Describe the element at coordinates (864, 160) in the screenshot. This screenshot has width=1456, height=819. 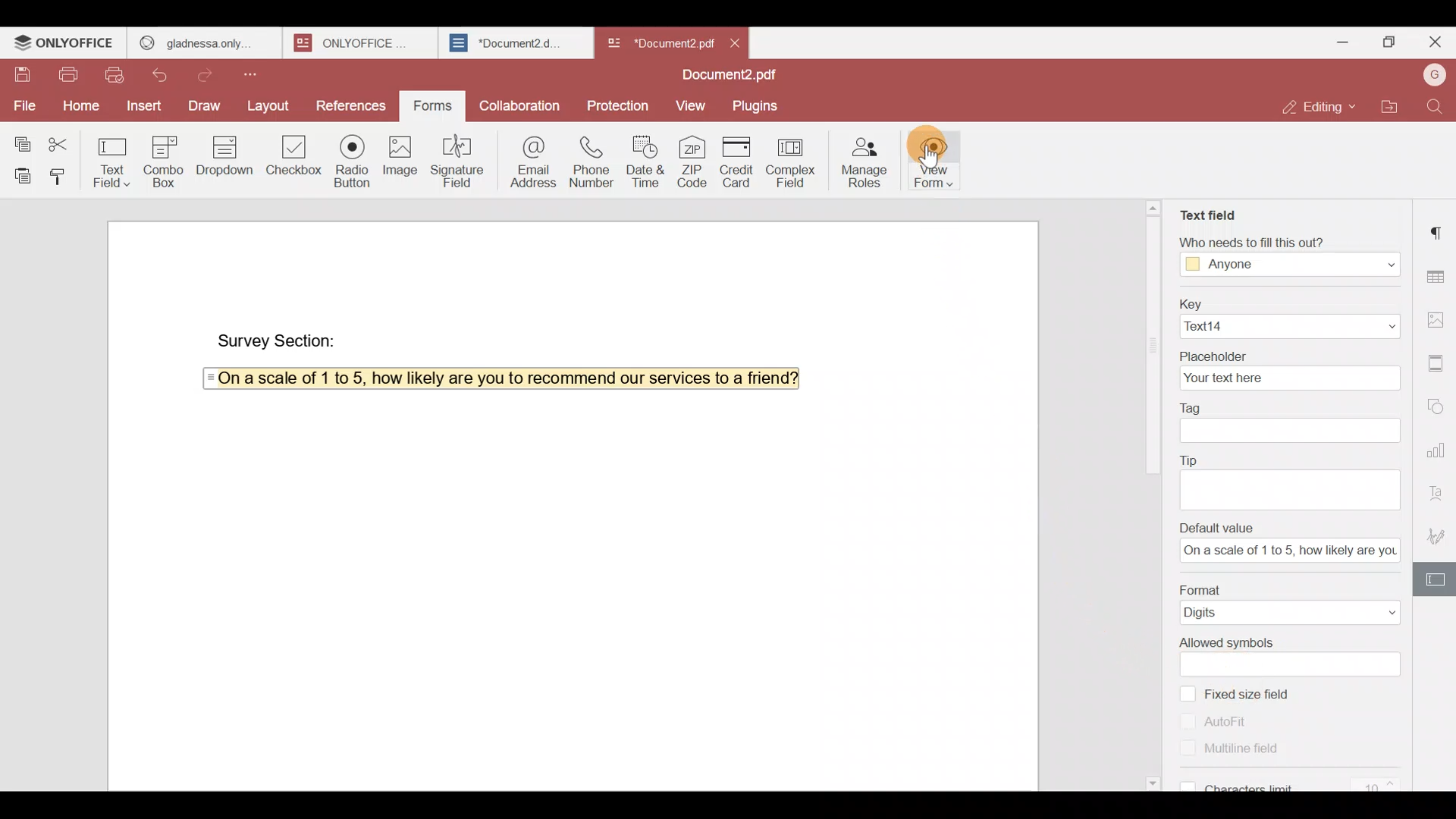
I see `Manage roles` at that location.